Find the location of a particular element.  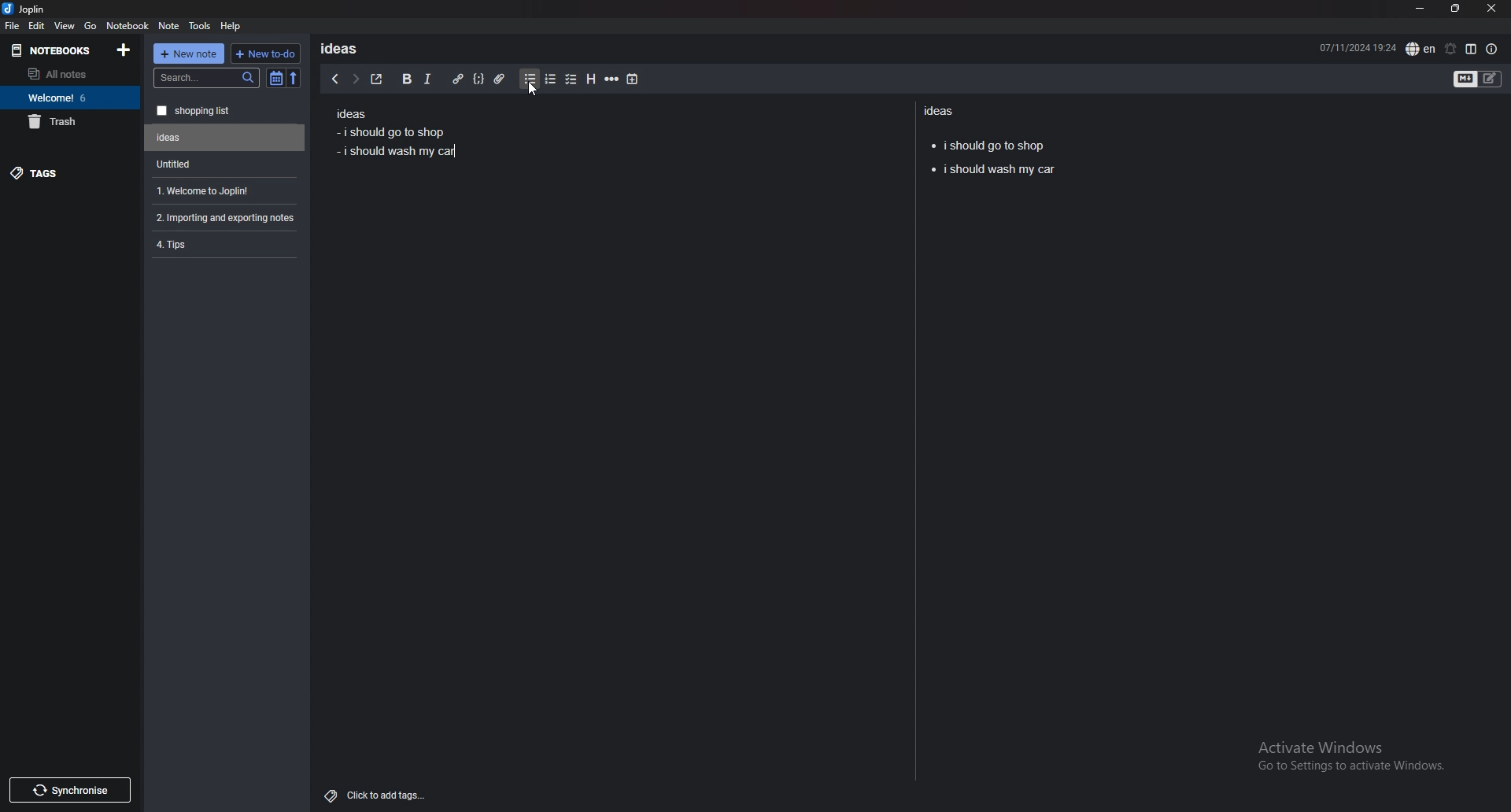

i should go to shop is located at coordinates (988, 143).